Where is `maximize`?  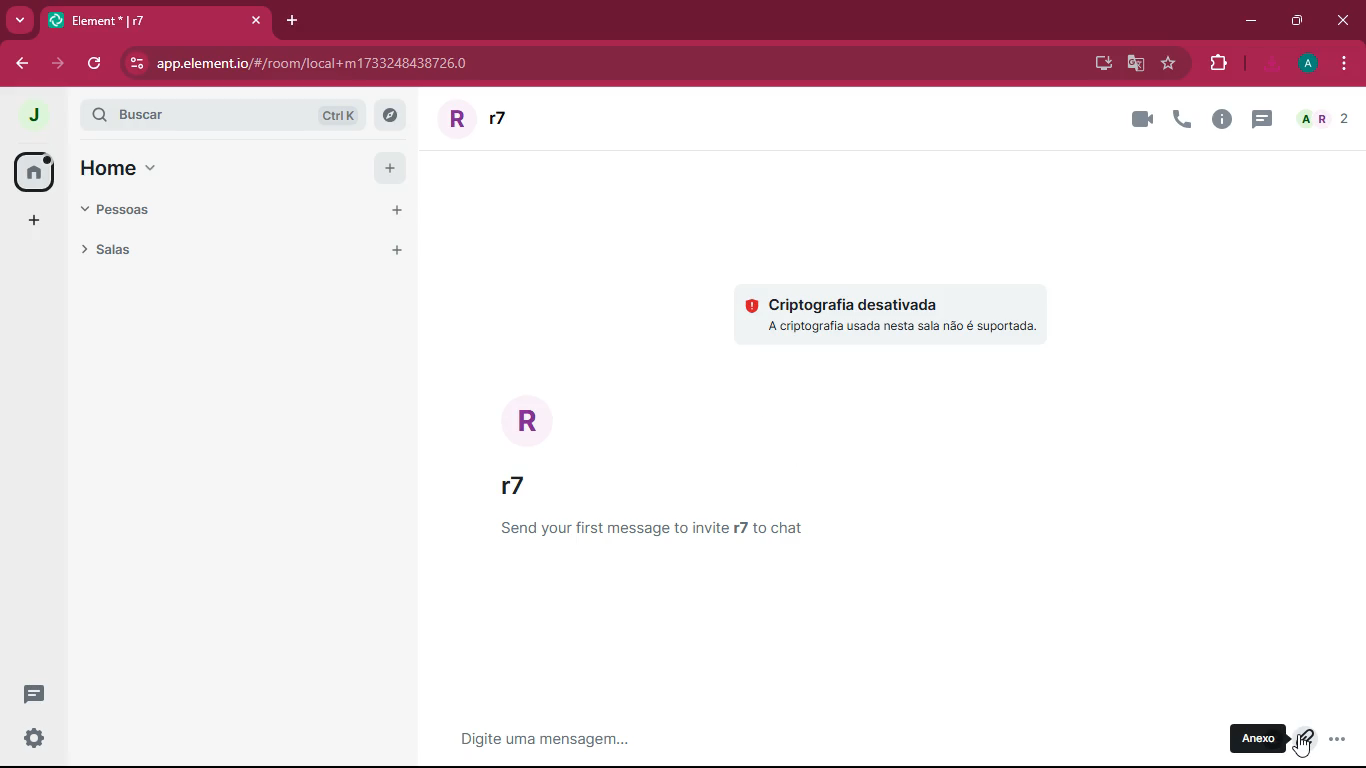 maximize is located at coordinates (1296, 20).